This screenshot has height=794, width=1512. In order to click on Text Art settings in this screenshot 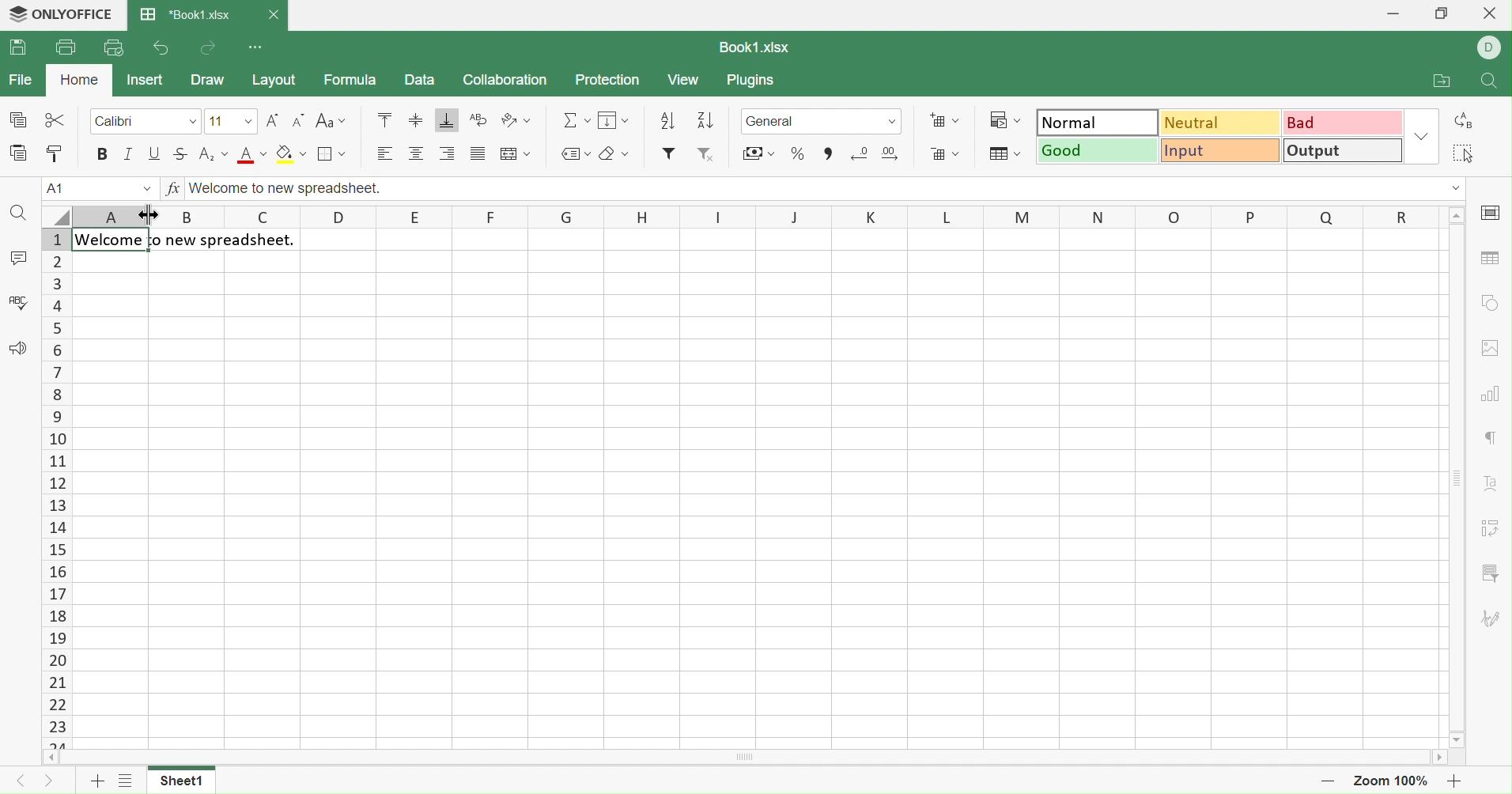, I will do `click(1495, 486)`.